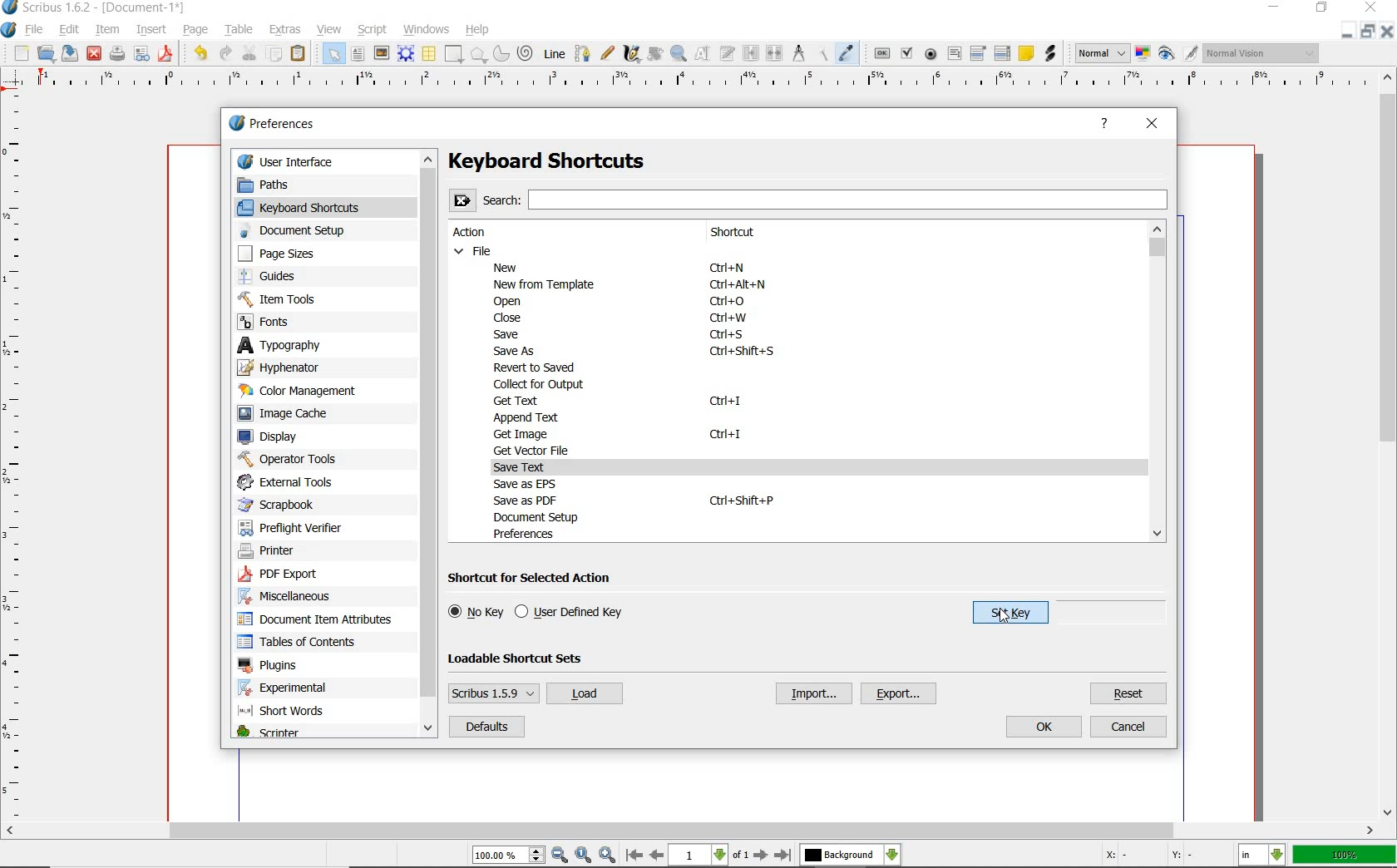  What do you see at coordinates (583, 54) in the screenshot?
I see `Bezier curve` at bounding box center [583, 54].